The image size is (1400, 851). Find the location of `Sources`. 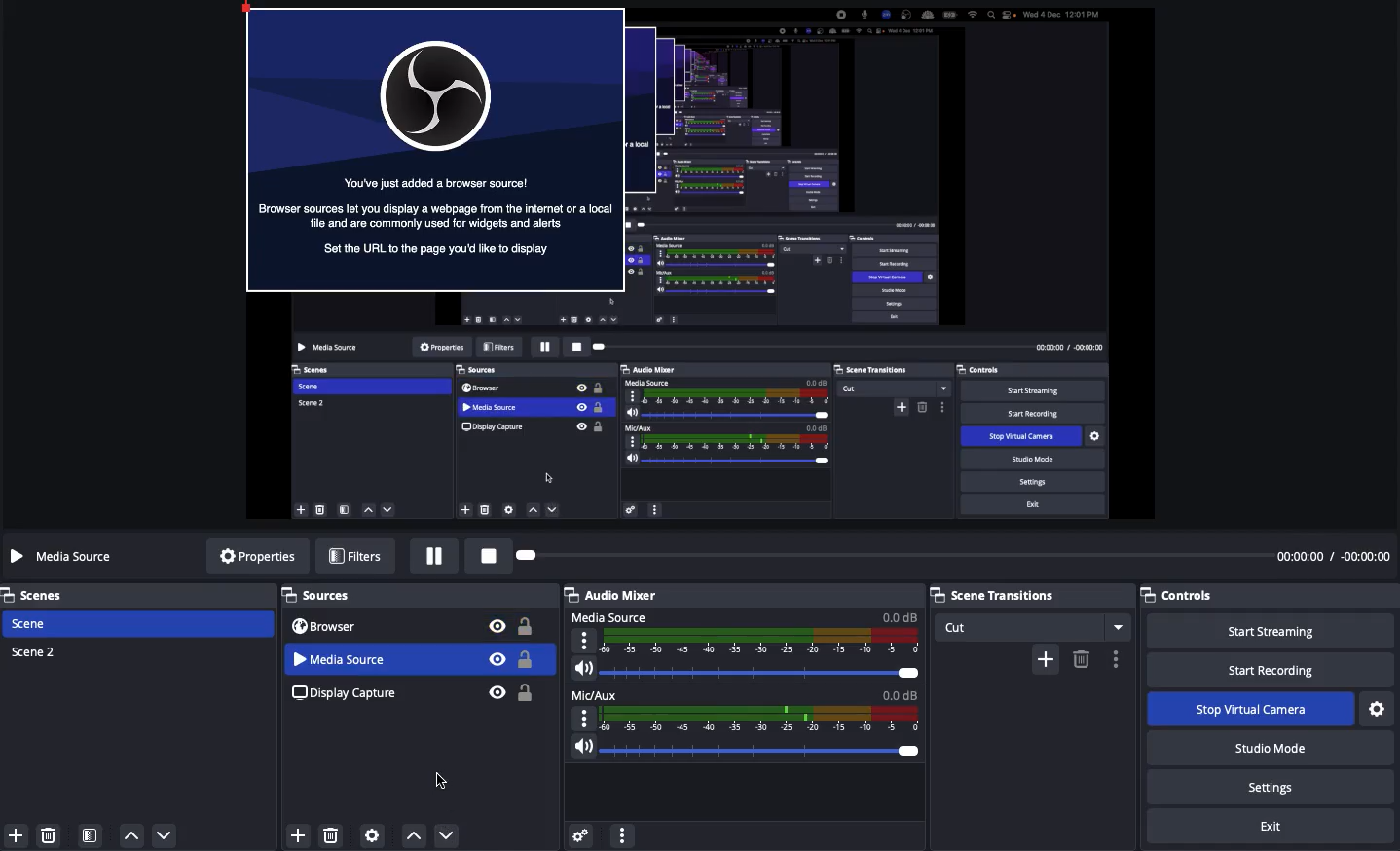

Sources is located at coordinates (321, 595).